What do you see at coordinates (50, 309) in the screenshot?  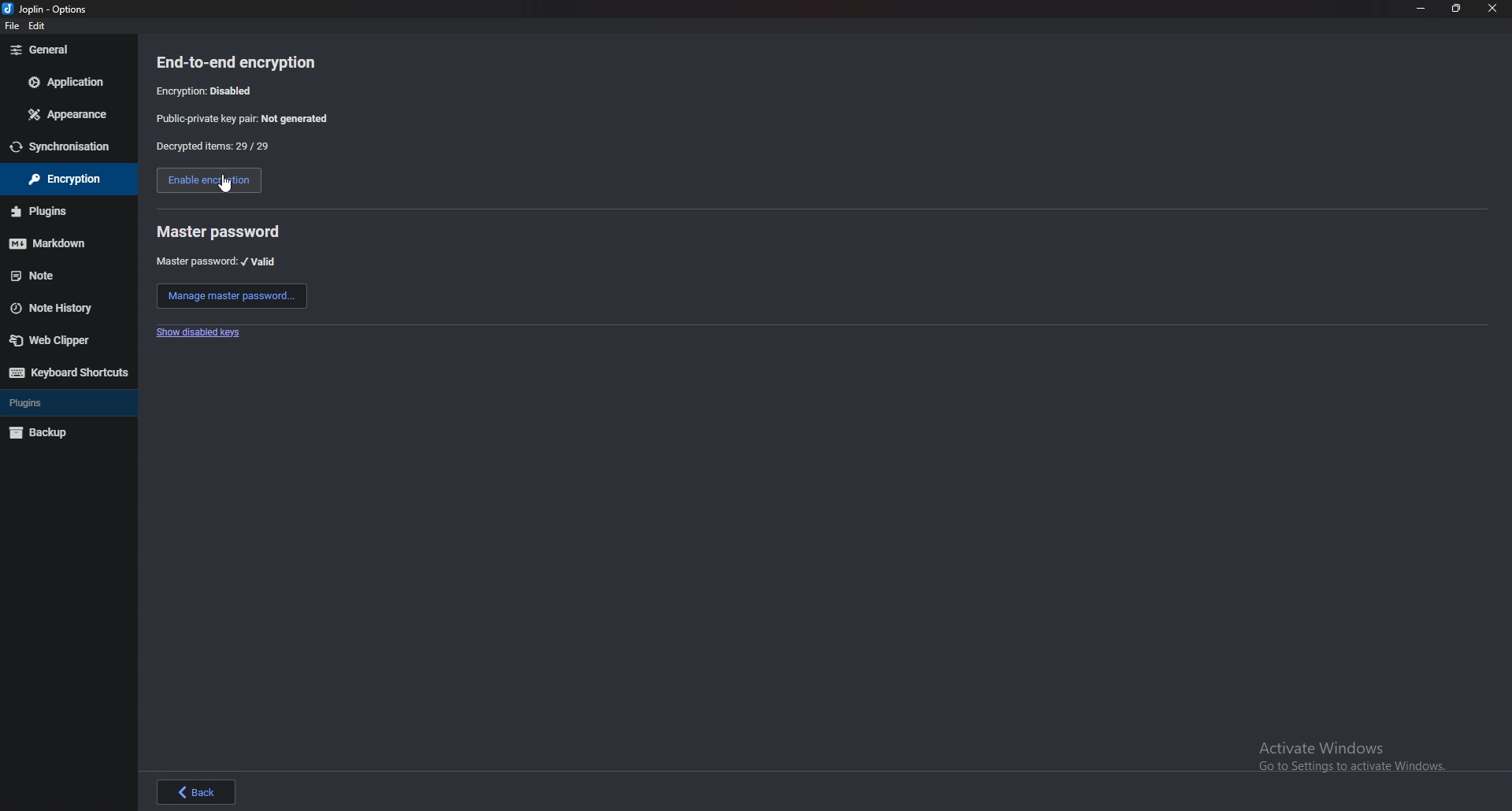 I see `` at bounding box center [50, 309].